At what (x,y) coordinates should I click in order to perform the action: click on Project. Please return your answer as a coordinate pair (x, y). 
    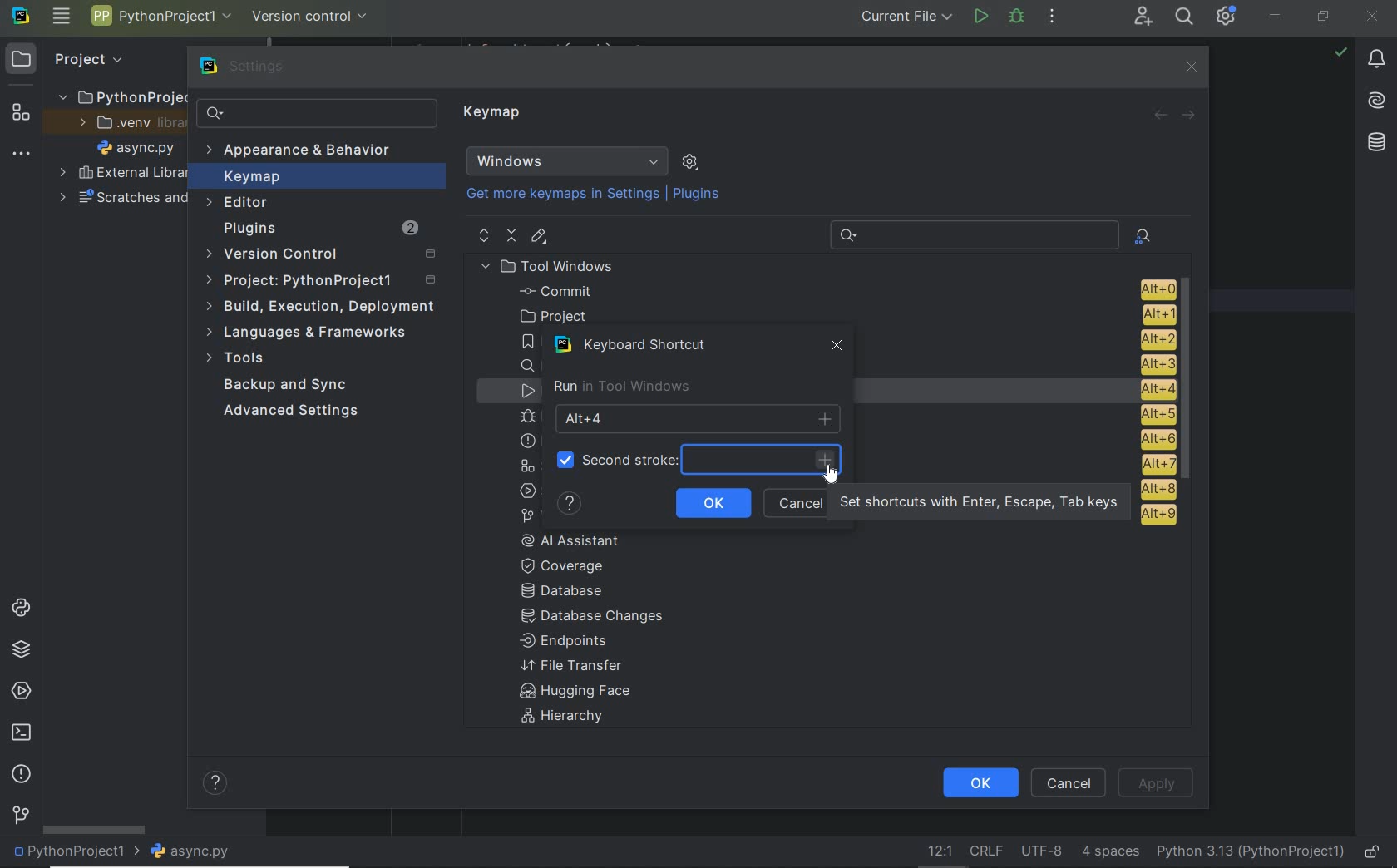
    Looking at the image, I should click on (72, 58).